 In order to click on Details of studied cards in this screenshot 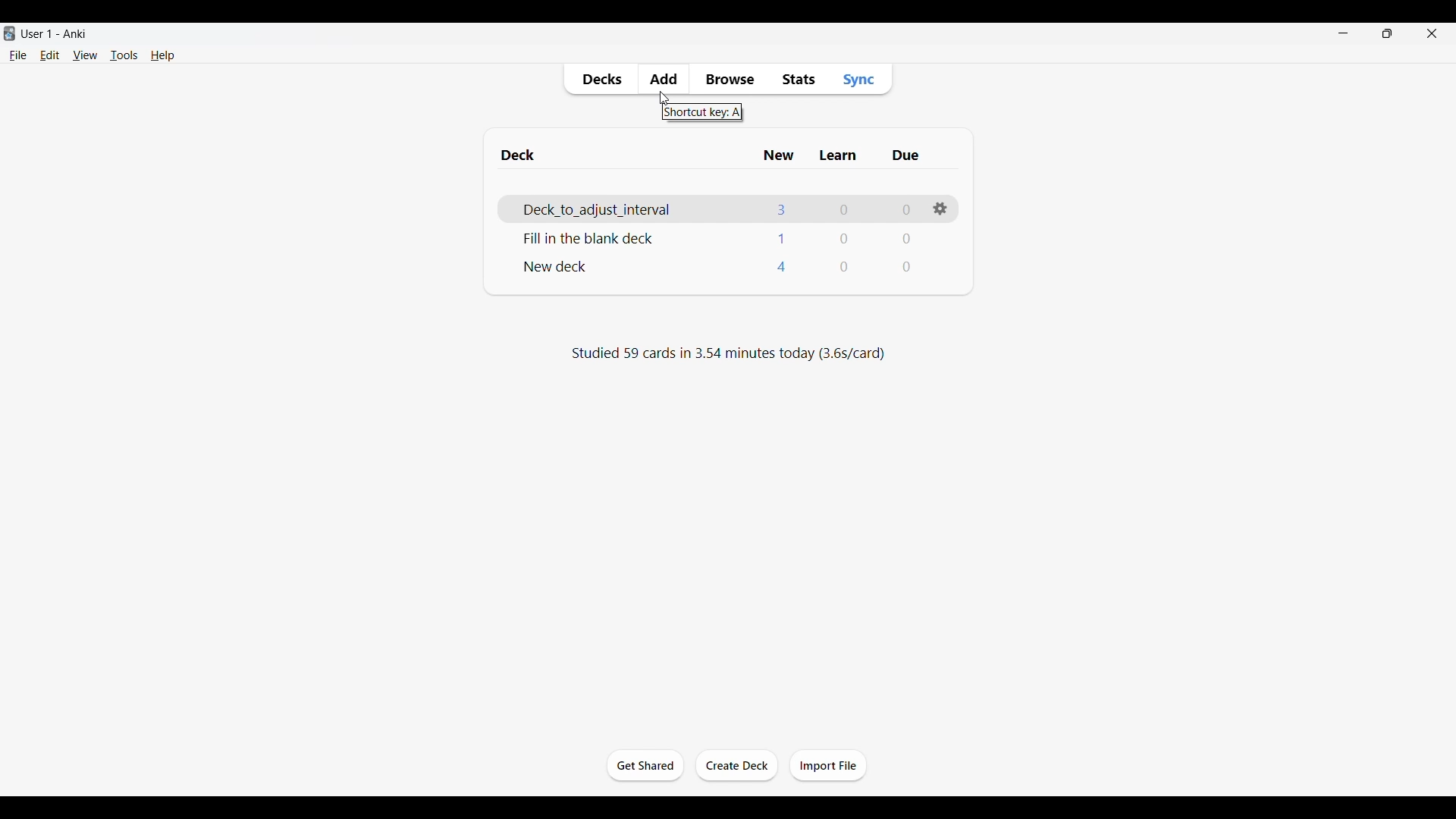, I will do `click(727, 354)`.